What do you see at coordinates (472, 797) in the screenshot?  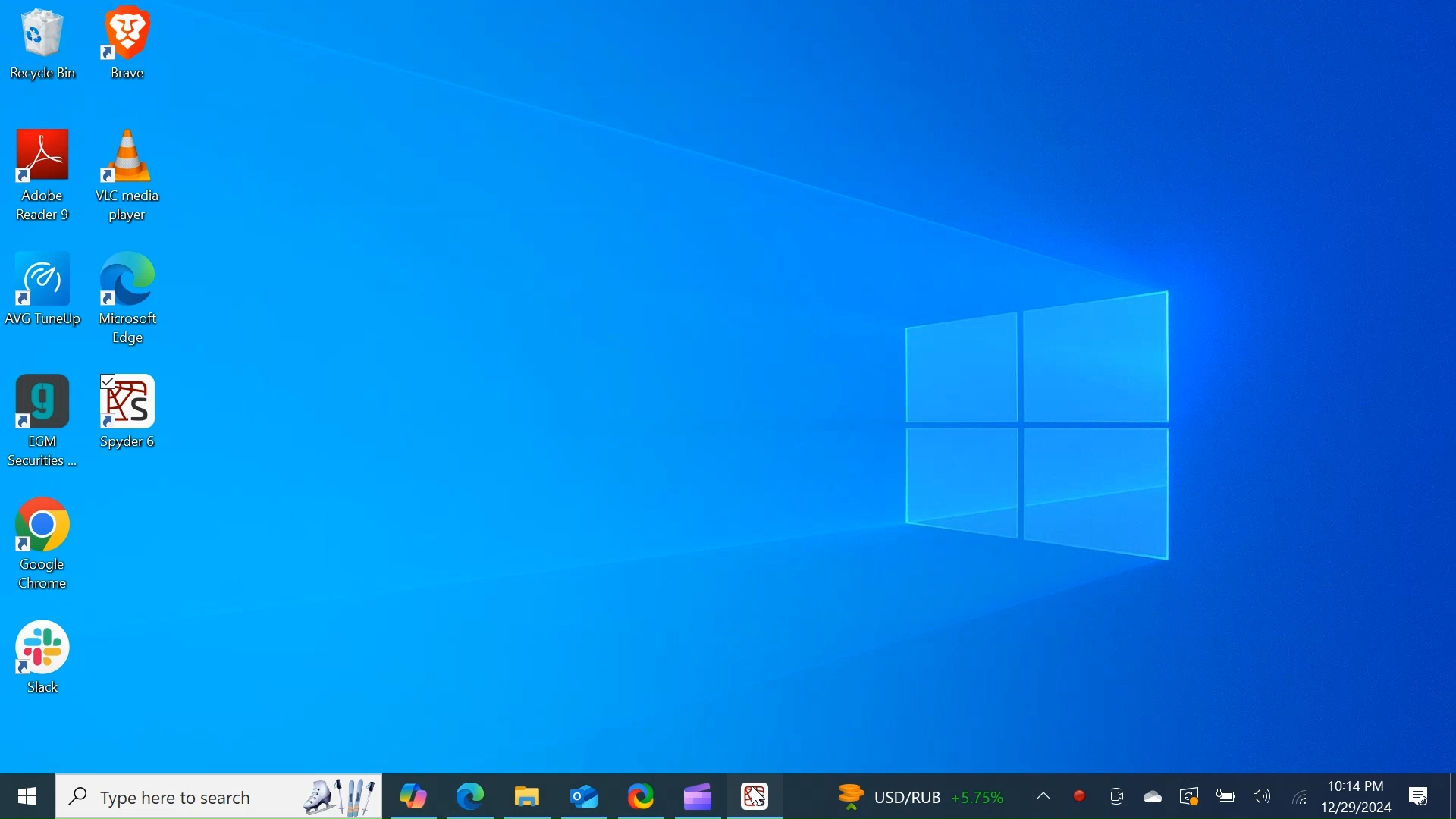 I see `Microsoft Edge` at bounding box center [472, 797].